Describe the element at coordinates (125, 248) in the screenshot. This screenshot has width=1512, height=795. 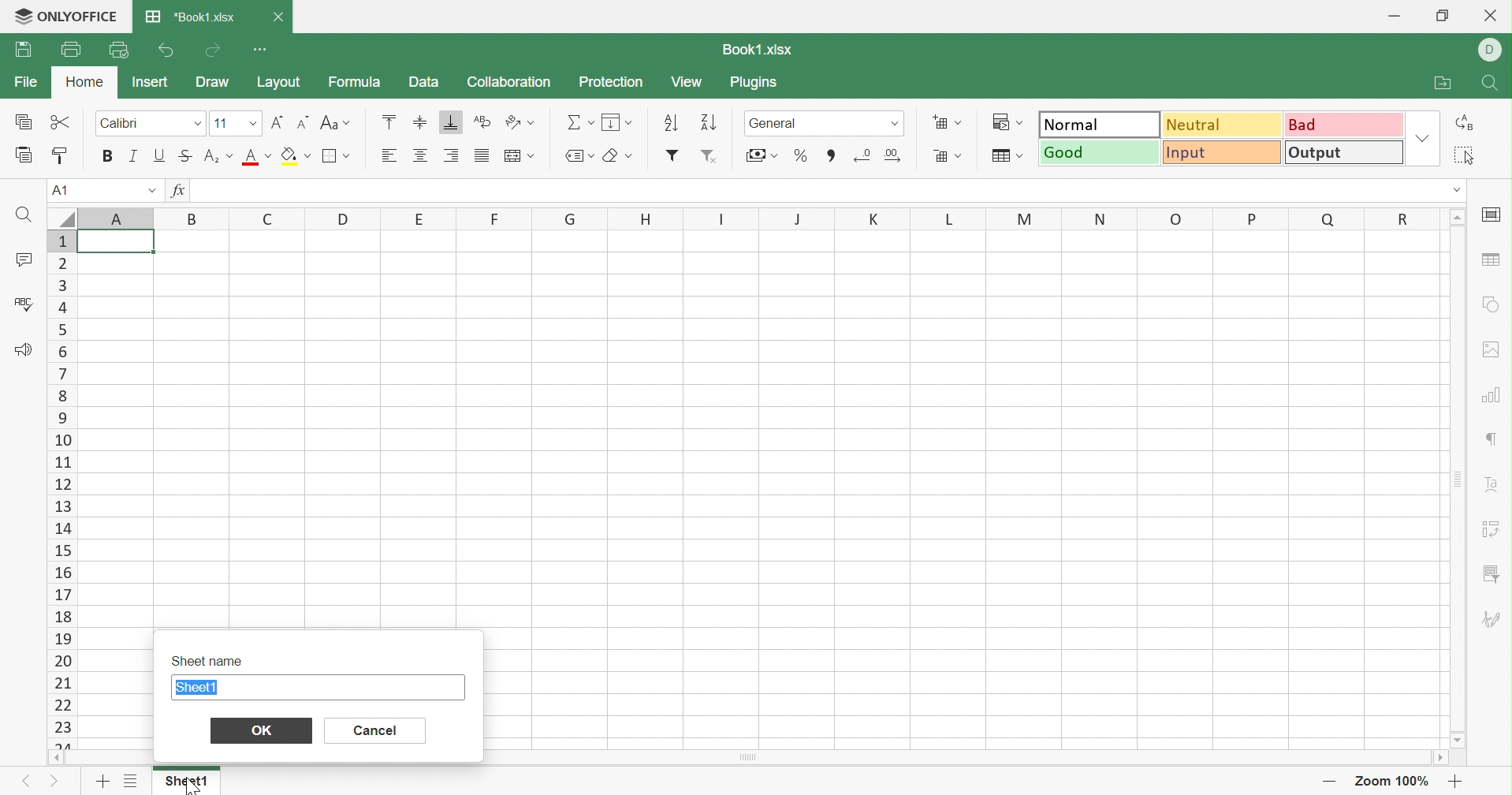
I see `cell A1 highlighted` at that location.